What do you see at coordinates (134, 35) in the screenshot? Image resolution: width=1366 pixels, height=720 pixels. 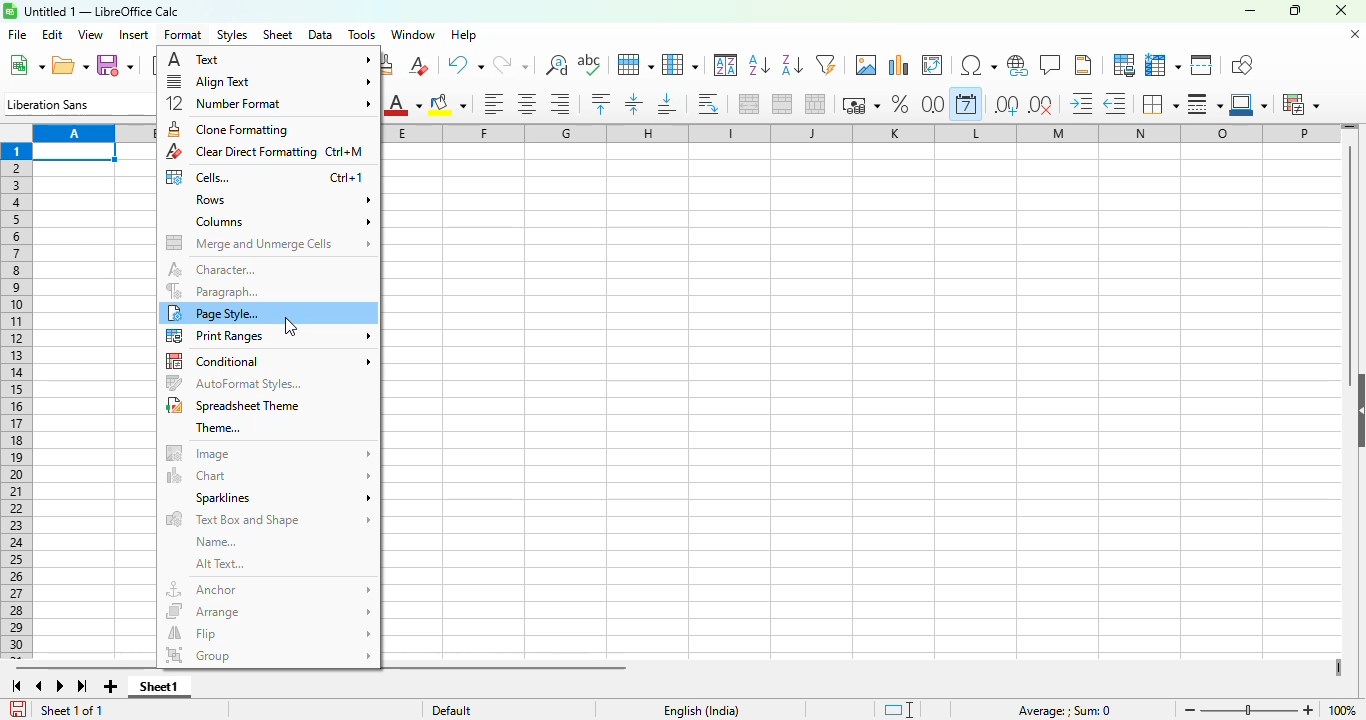 I see `insert` at bounding box center [134, 35].